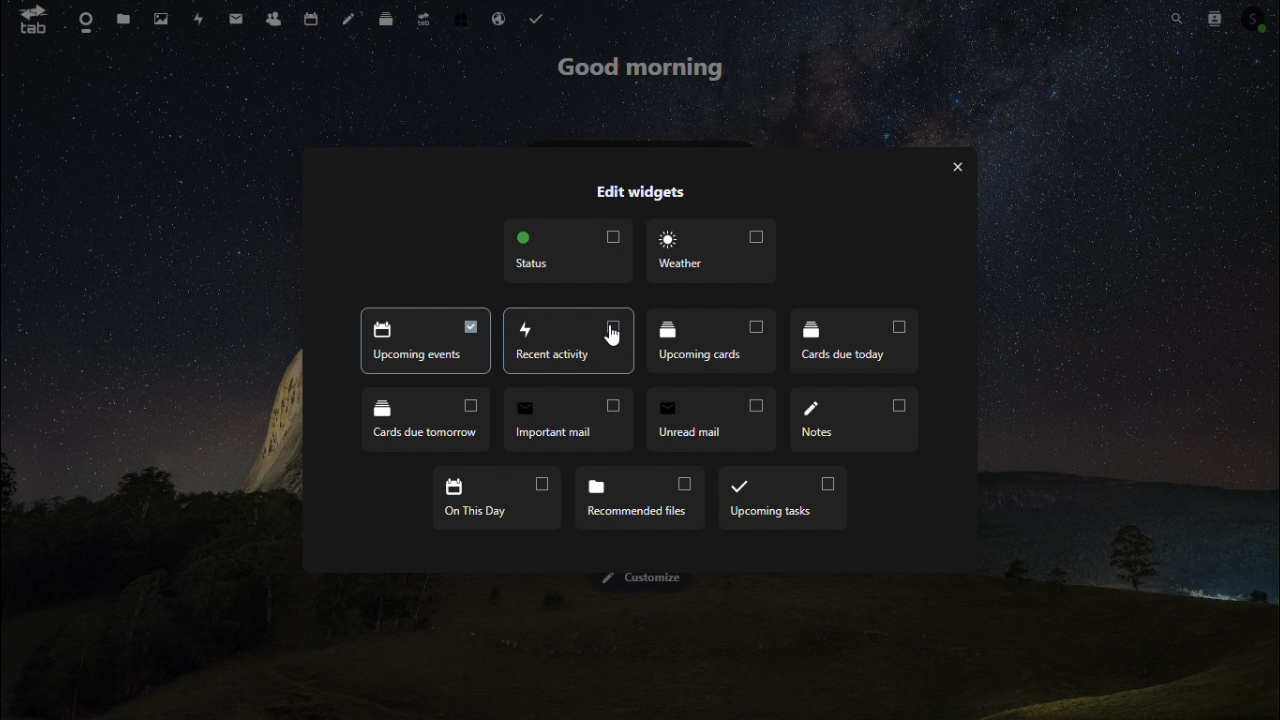 The width and height of the screenshot is (1280, 720). What do you see at coordinates (957, 168) in the screenshot?
I see `close` at bounding box center [957, 168].